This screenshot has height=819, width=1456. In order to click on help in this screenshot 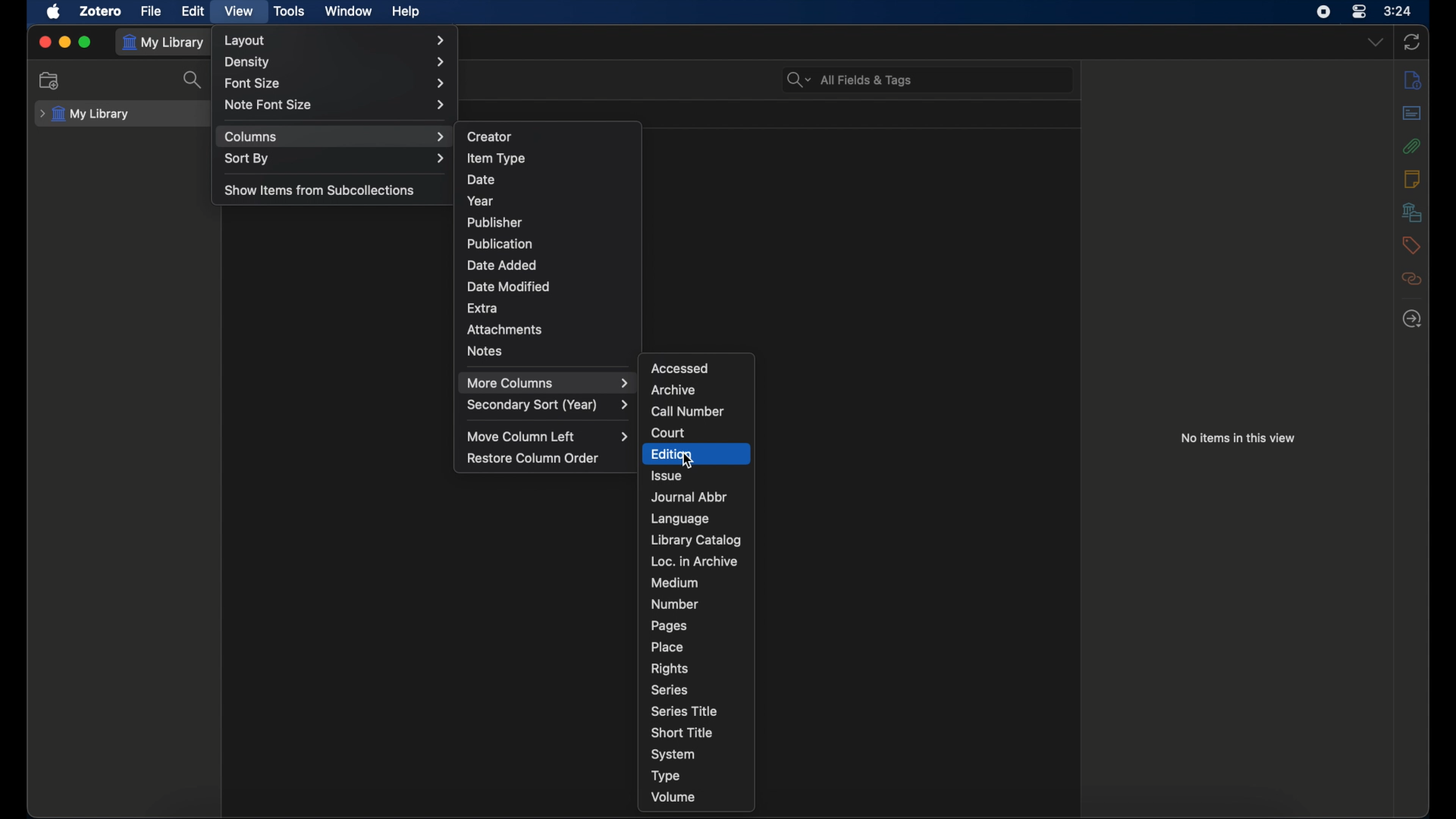, I will do `click(405, 12)`.